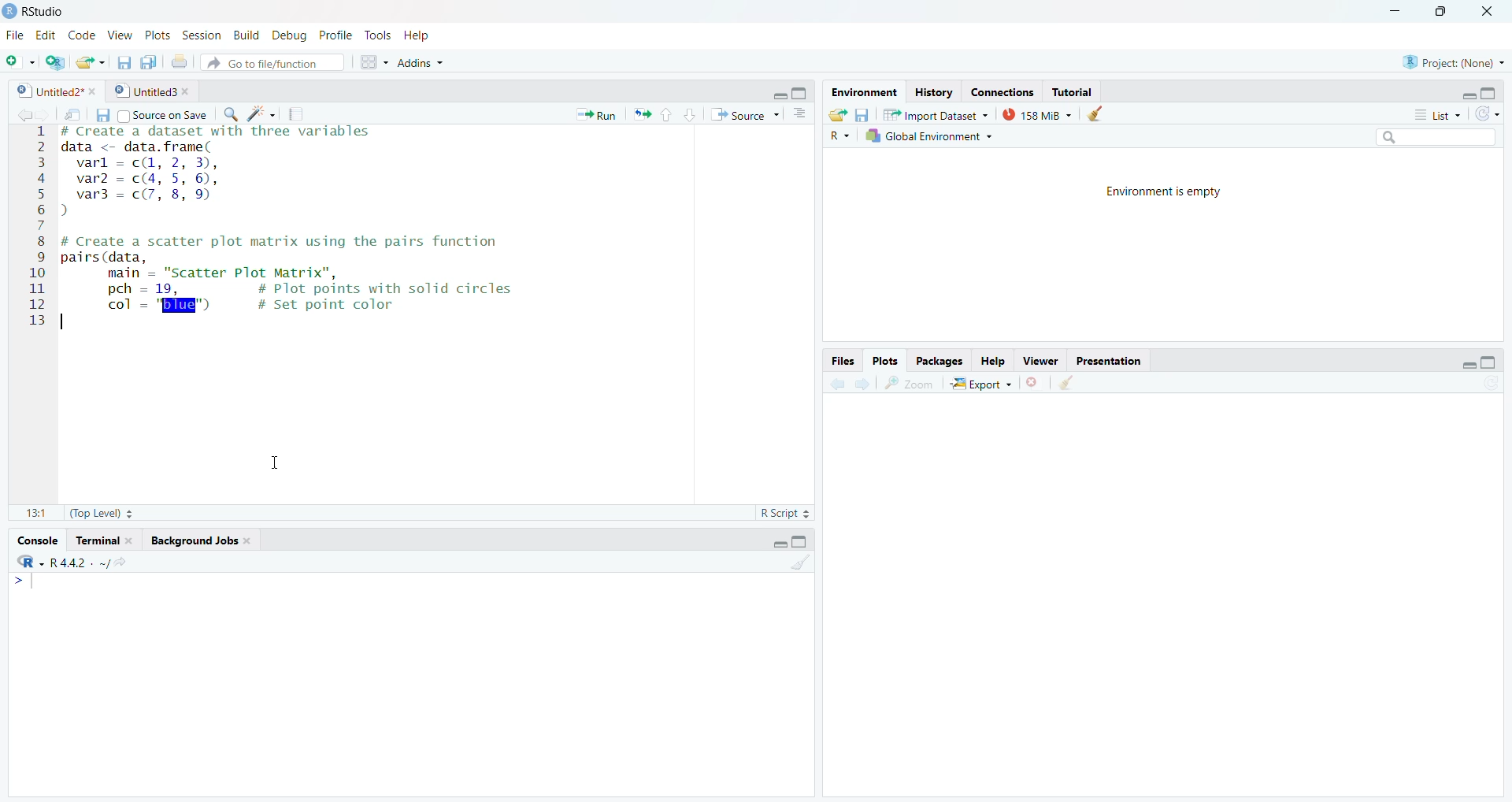 The height and width of the screenshot is (802, 1512). I want to click on Workspace pane, so click(370, 64).